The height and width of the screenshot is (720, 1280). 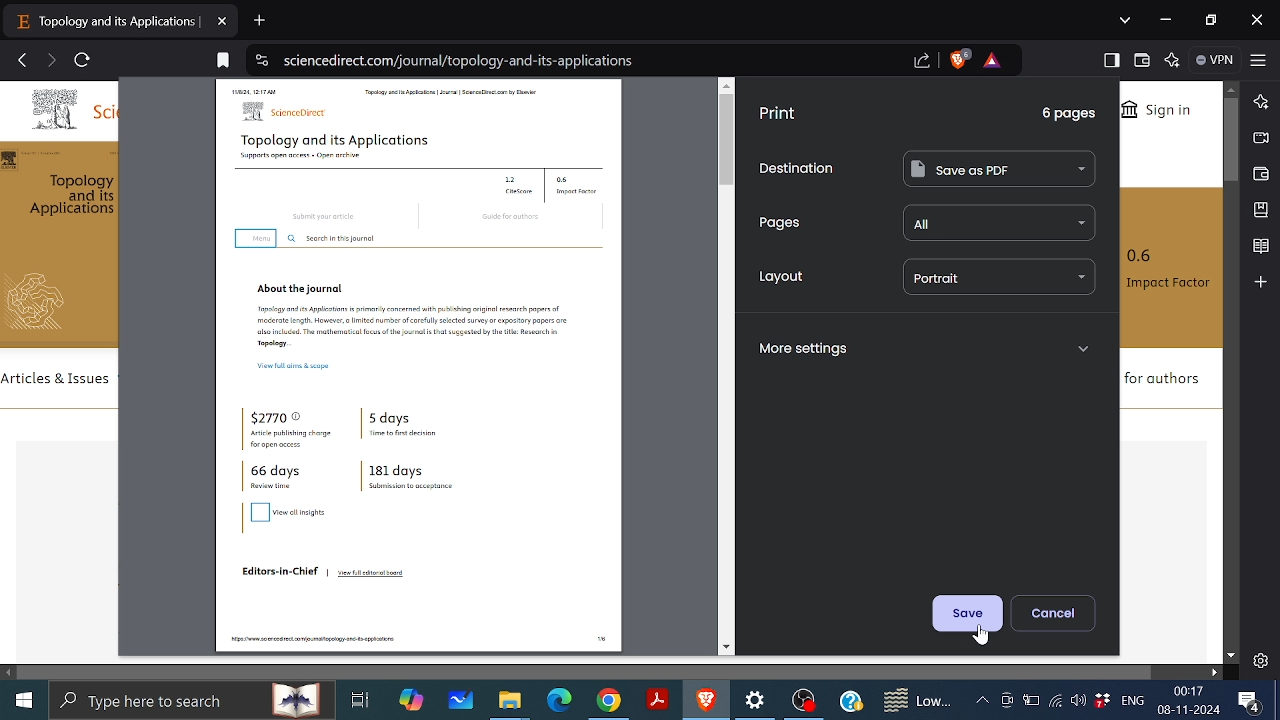 What do you see at coordinates (1260, 247) in the screenshot?
I see `Reading list` at bounding box center [1260, 247].